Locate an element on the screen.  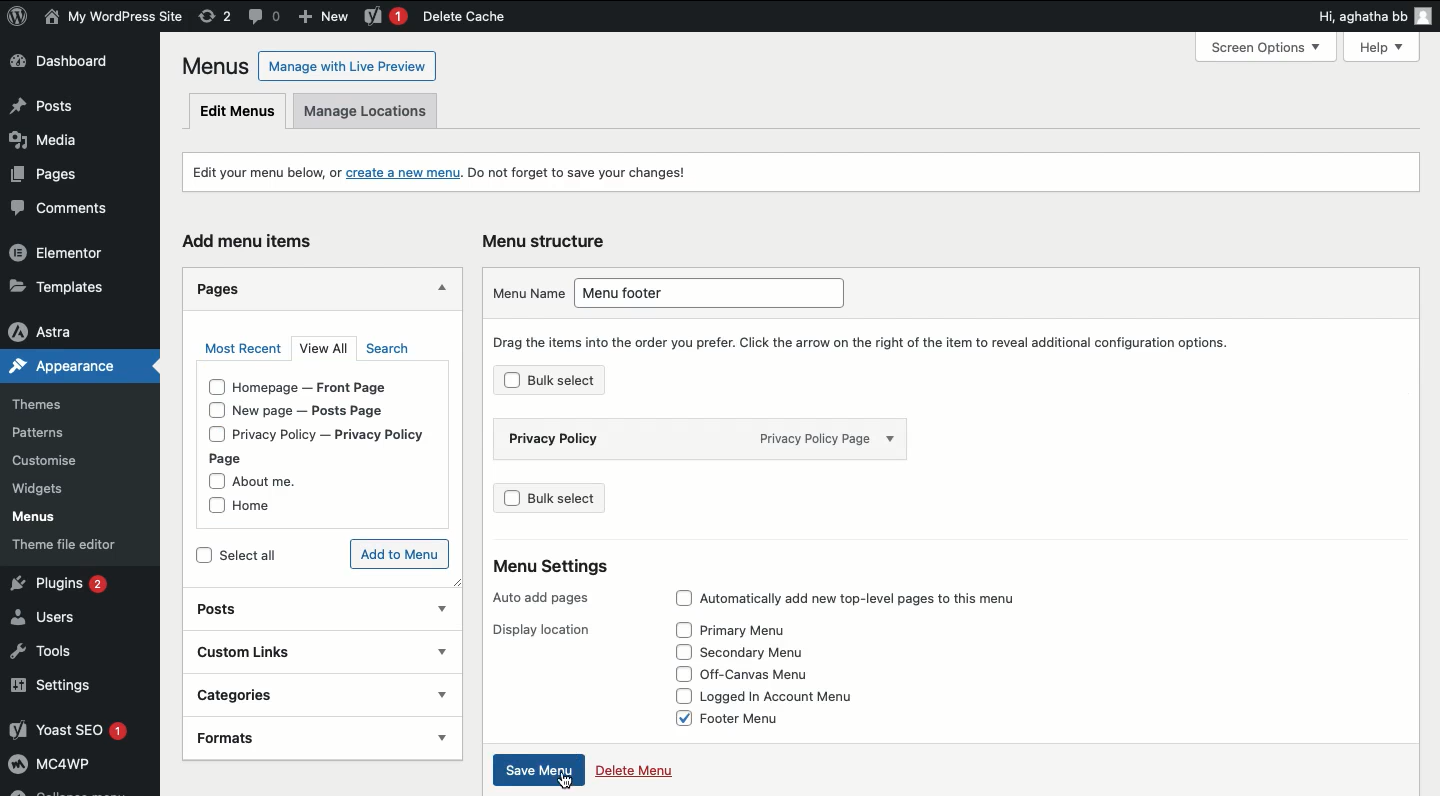
Templates is located at coordinates (70, 284).